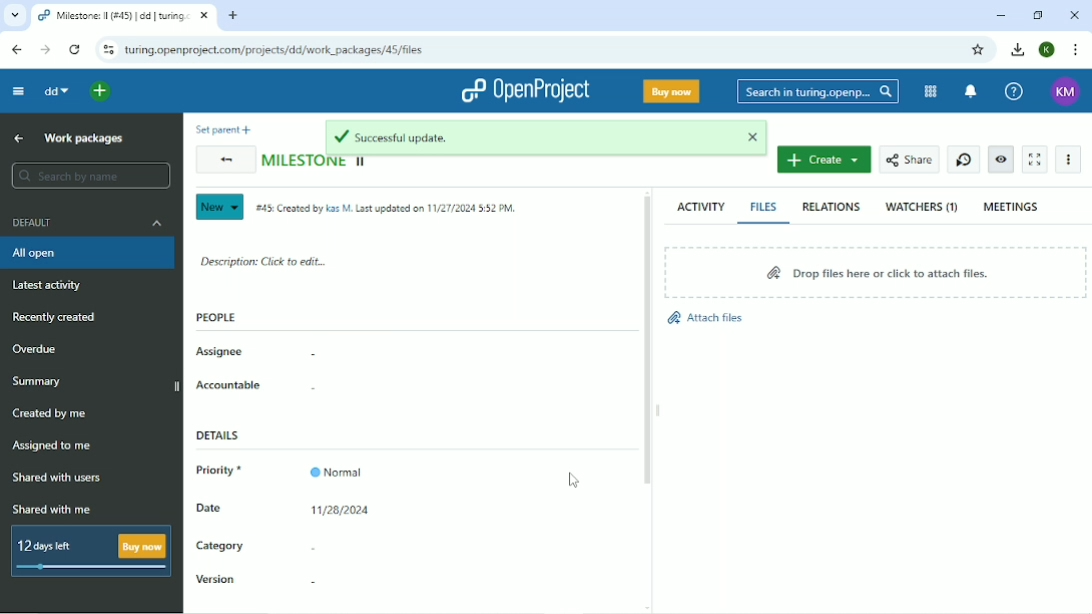 The width and height of the screenshot is (1092, 614). Describe the element at coordinates (220, 129) in the screenshot. I see `Set parent` at that location.